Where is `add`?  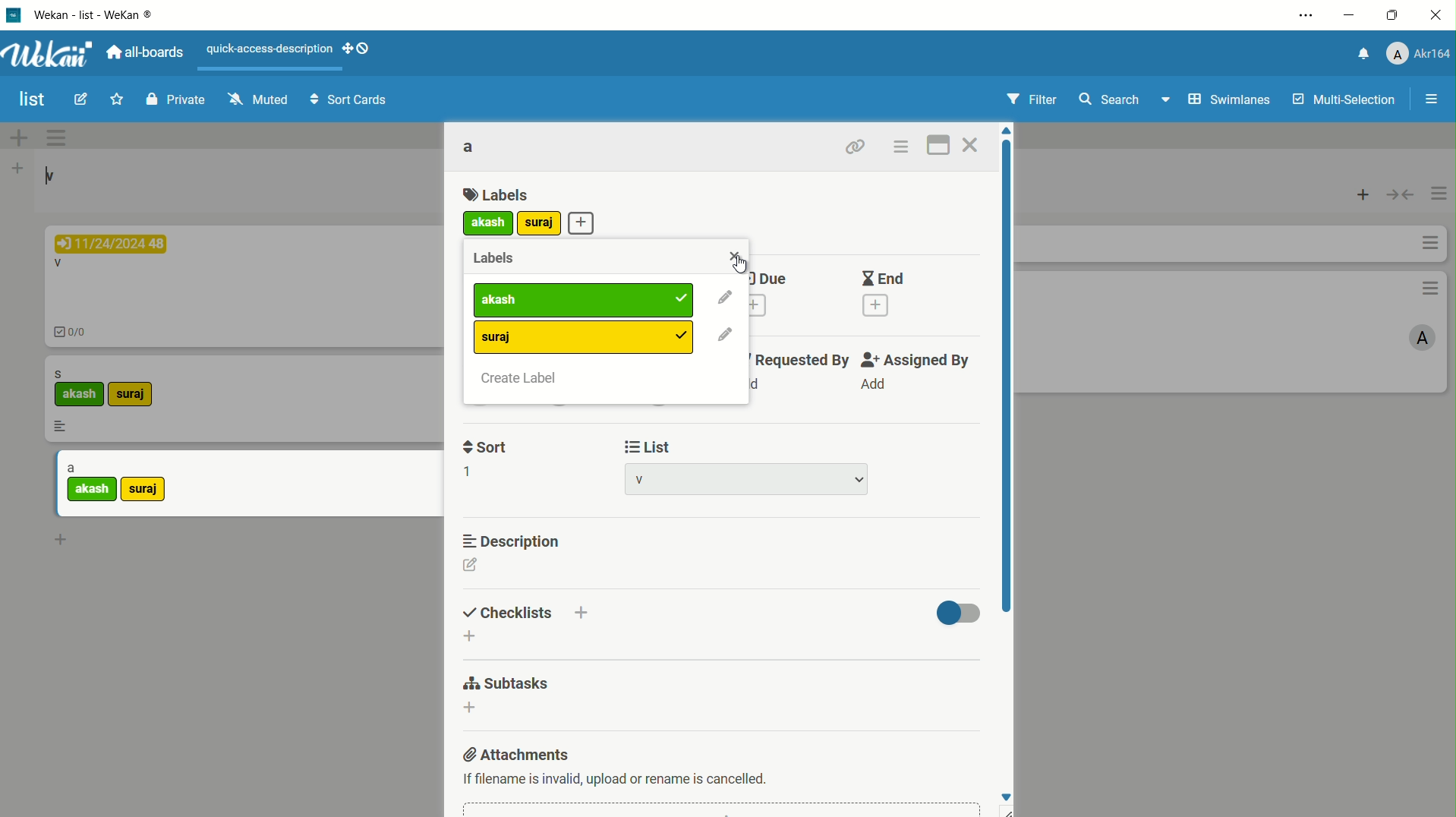 add is located at coordinates (15, 138).